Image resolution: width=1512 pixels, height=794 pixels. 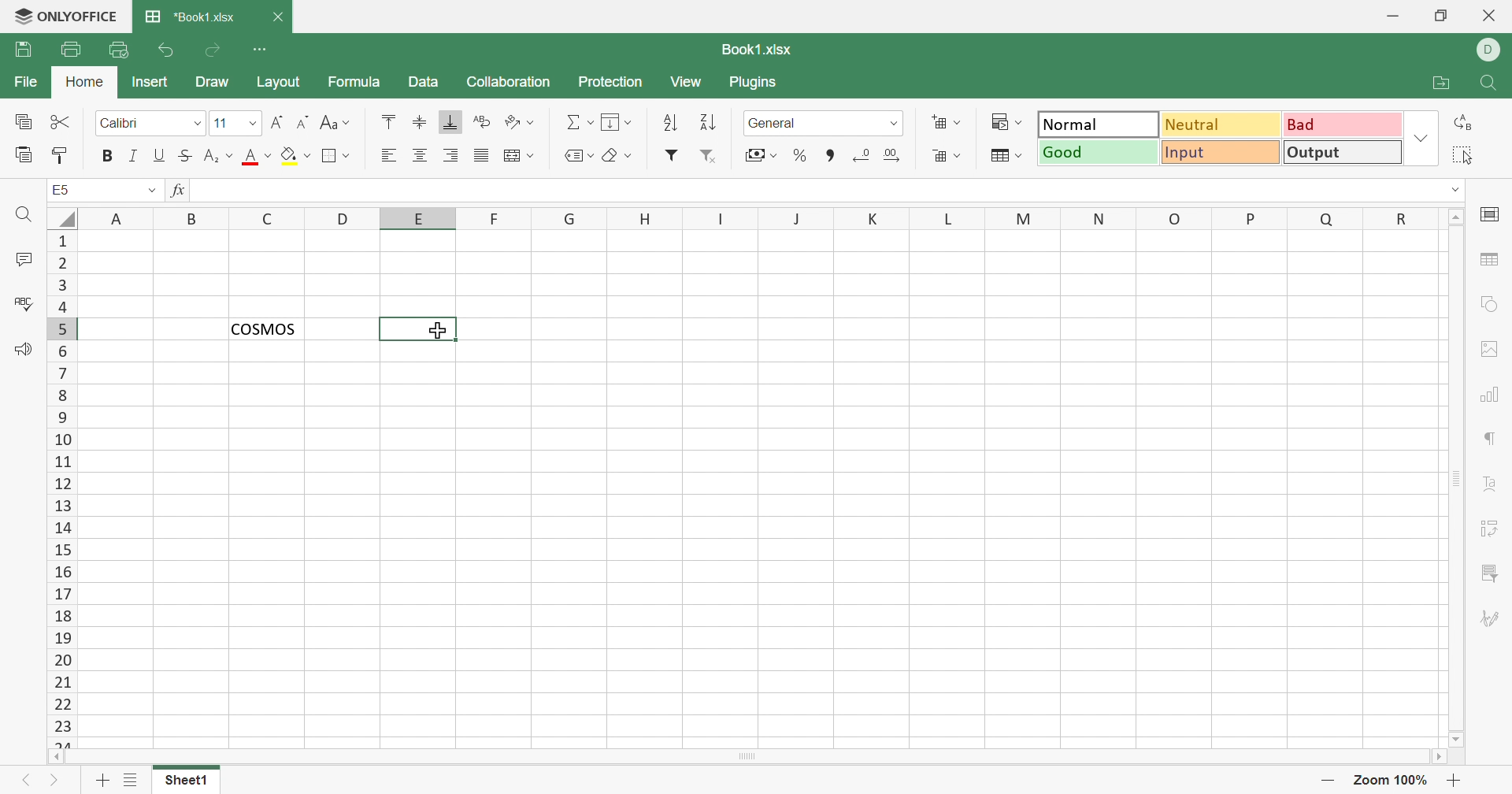 I want to click on Accounting style, so click(x=763, y=155).